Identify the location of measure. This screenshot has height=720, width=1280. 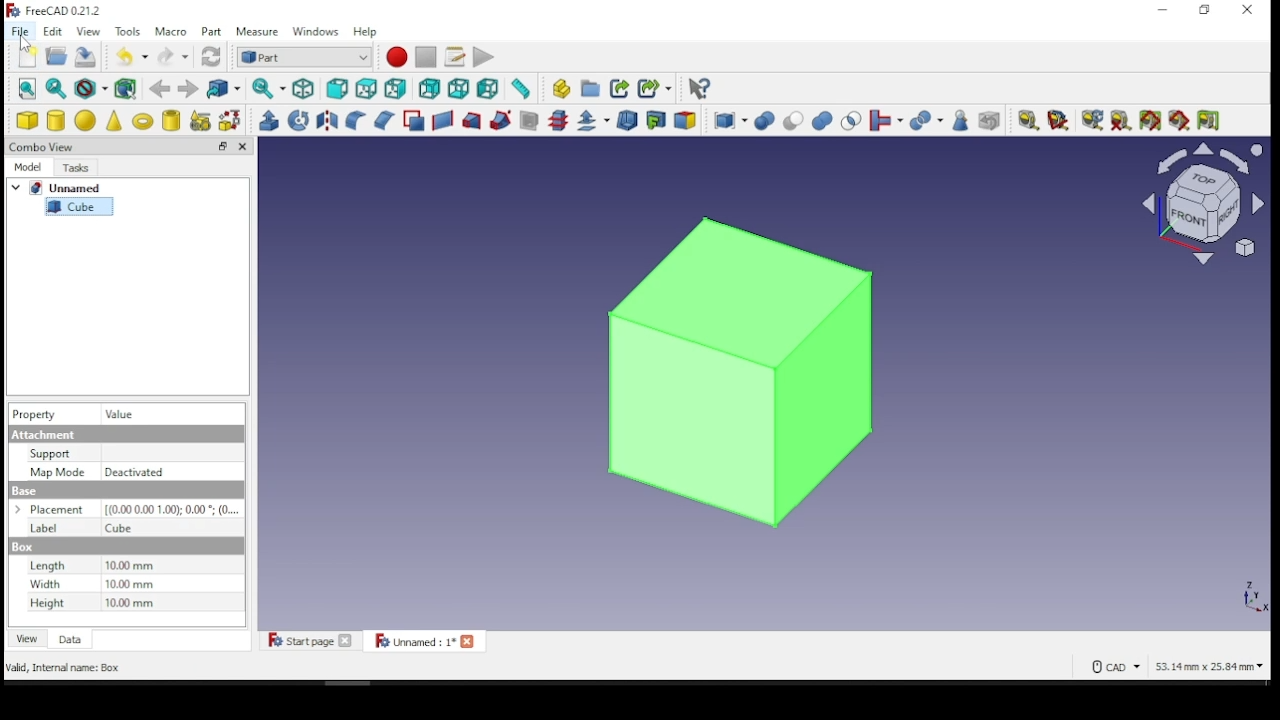
(259, 33).